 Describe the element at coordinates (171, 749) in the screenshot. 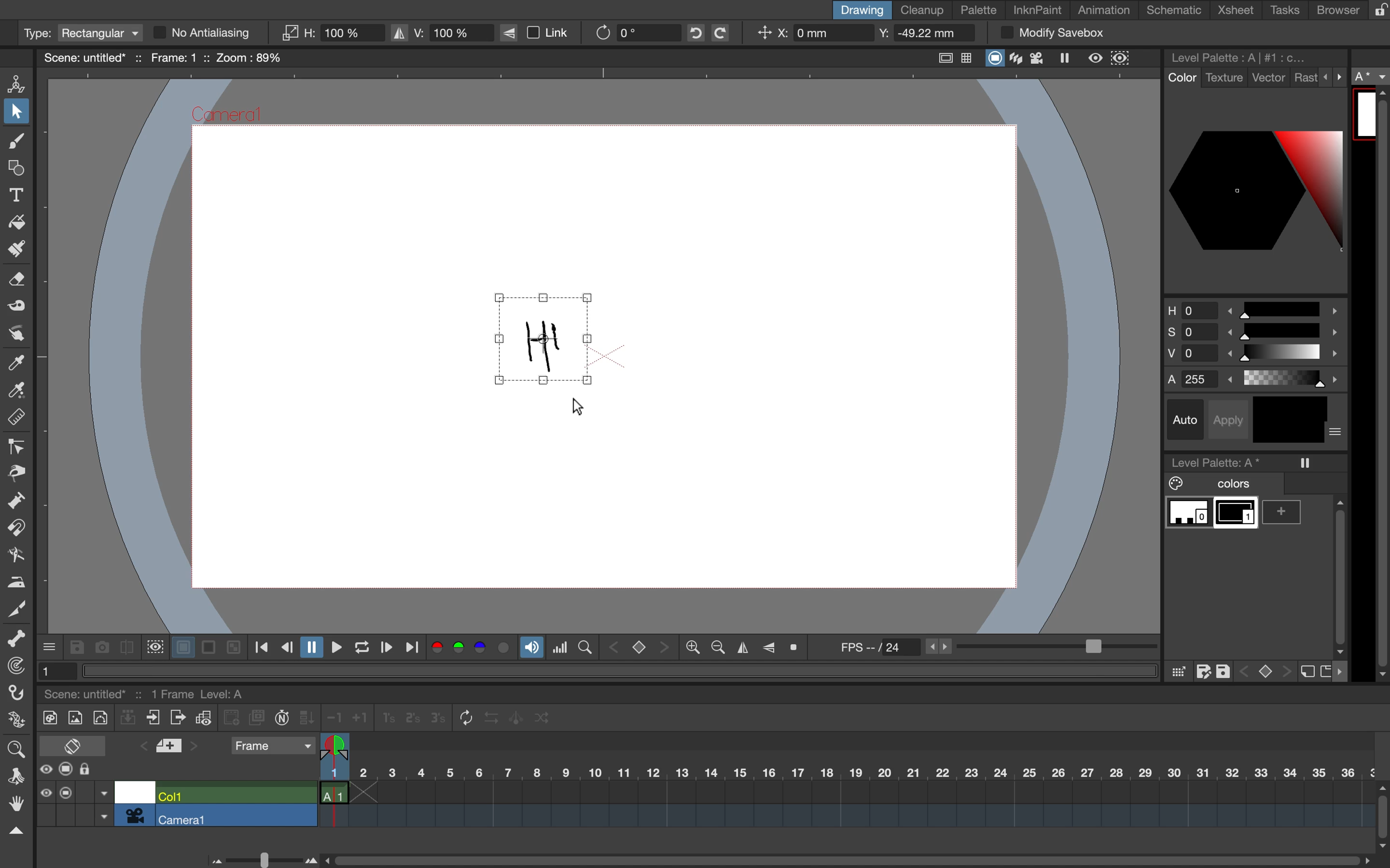

I see `add new memo` at that location.